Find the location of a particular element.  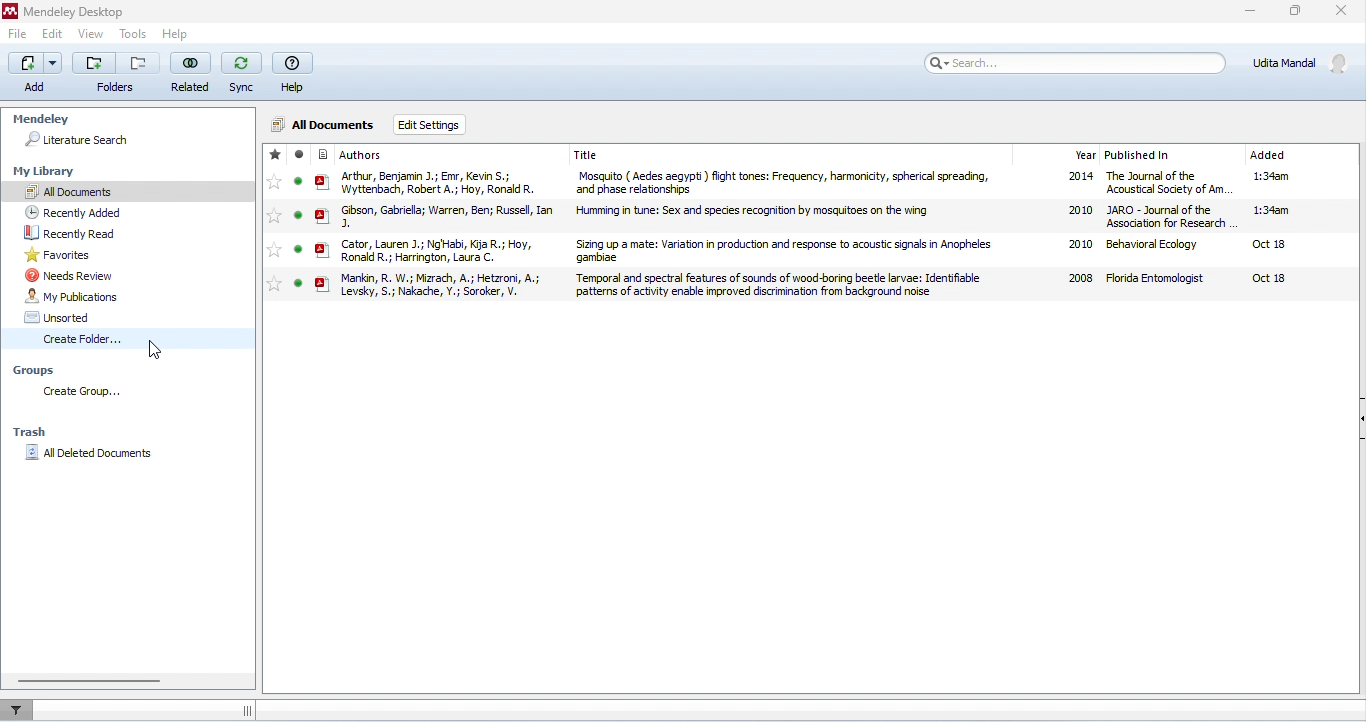

favorites is located at coordinates (134, 255).